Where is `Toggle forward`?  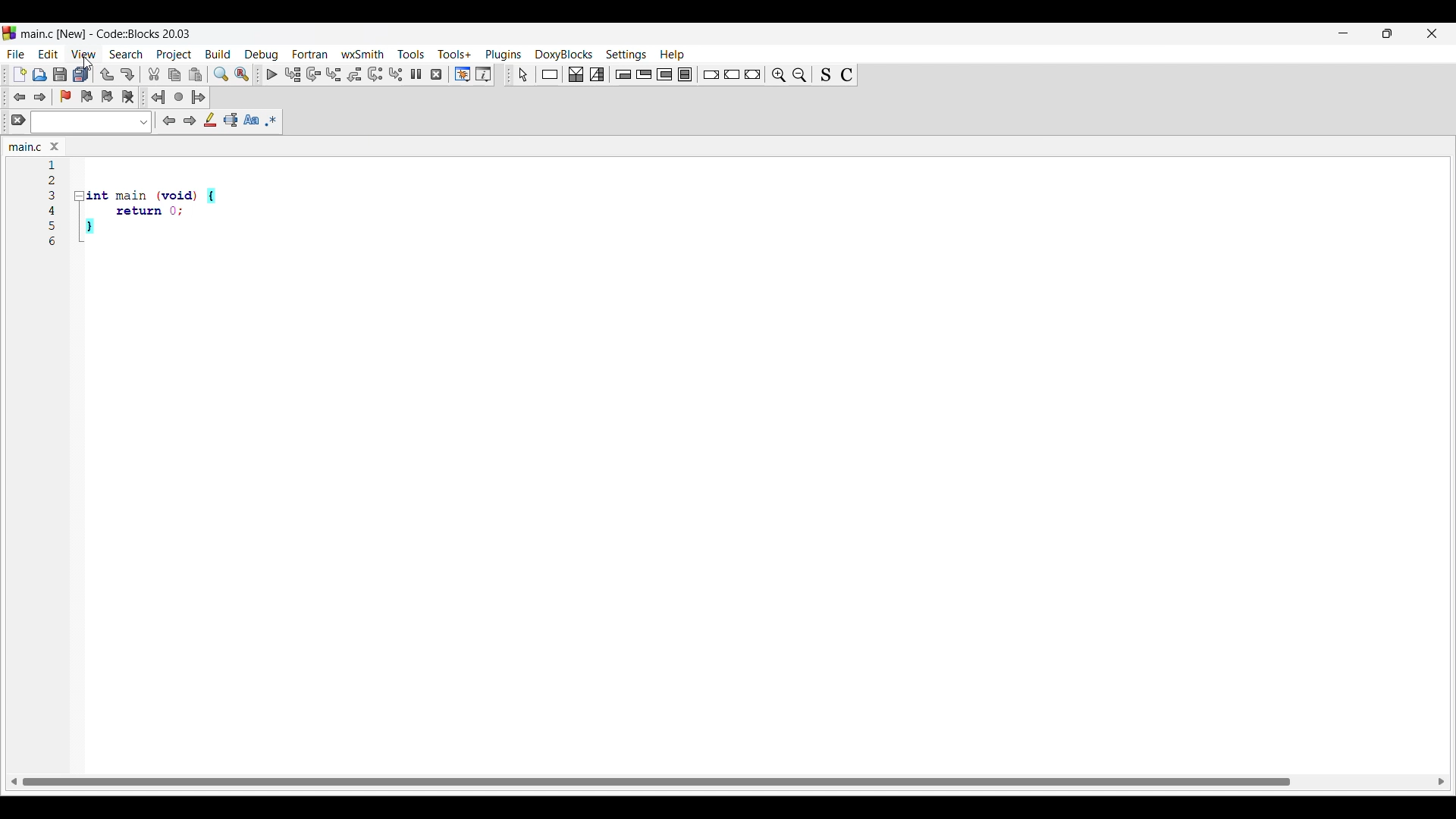
Toggle forward is located at coordinates (40, 97).